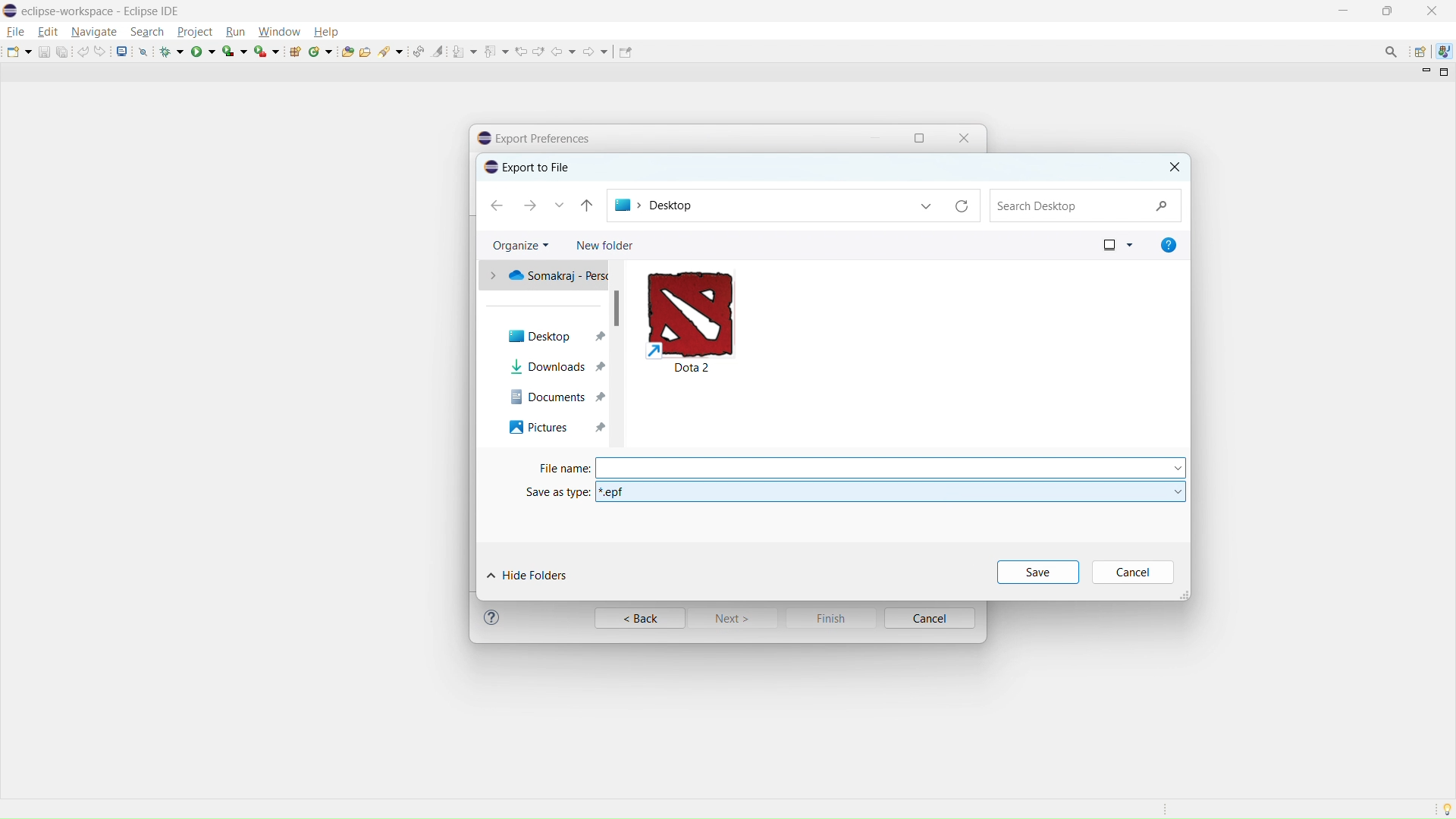 This screenshot has height=819, width=1456. I want to click on Export Preferences, so click(548, 134).